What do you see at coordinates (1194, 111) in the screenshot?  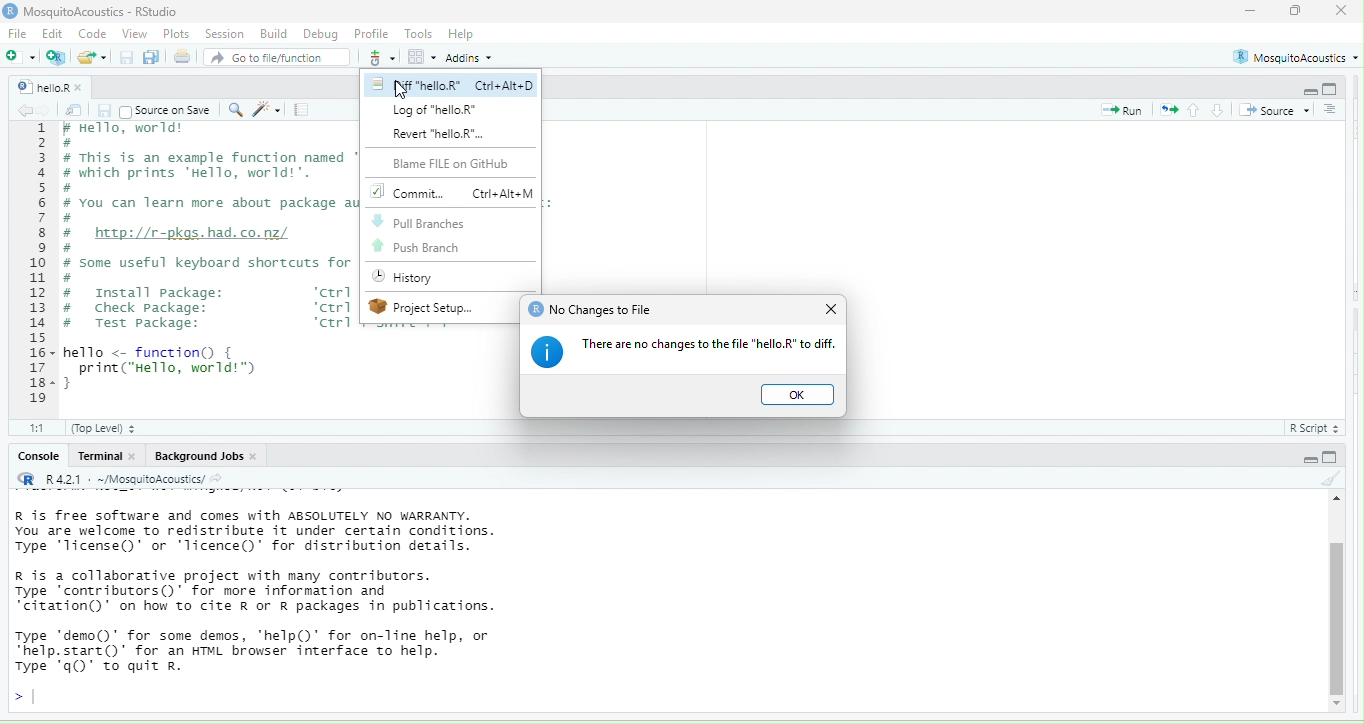 I see `go to previous section/chunk` at bounding box center [1194, 111].